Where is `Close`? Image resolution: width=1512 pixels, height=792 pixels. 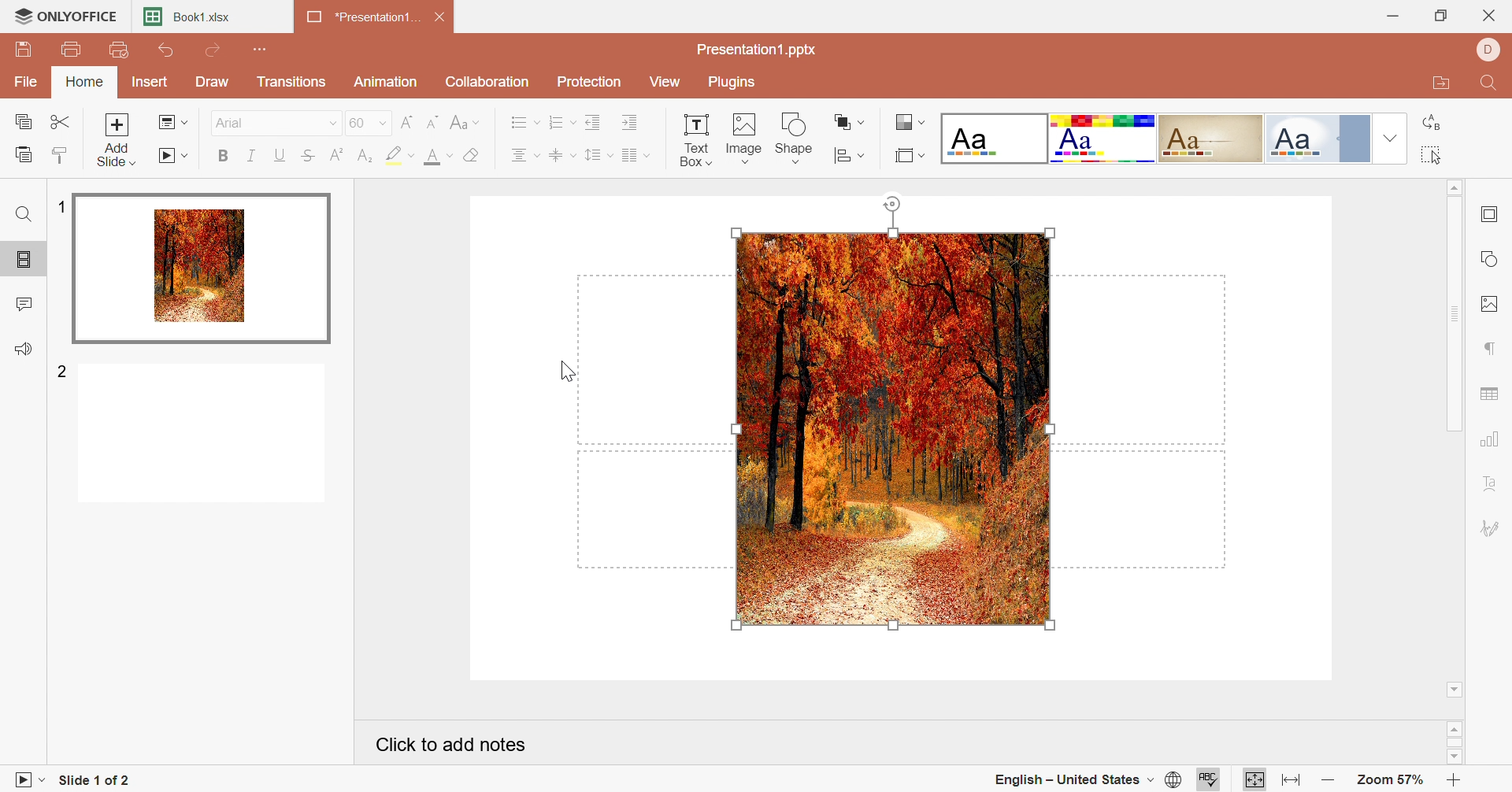
Close is located at coordinates (442, 15).